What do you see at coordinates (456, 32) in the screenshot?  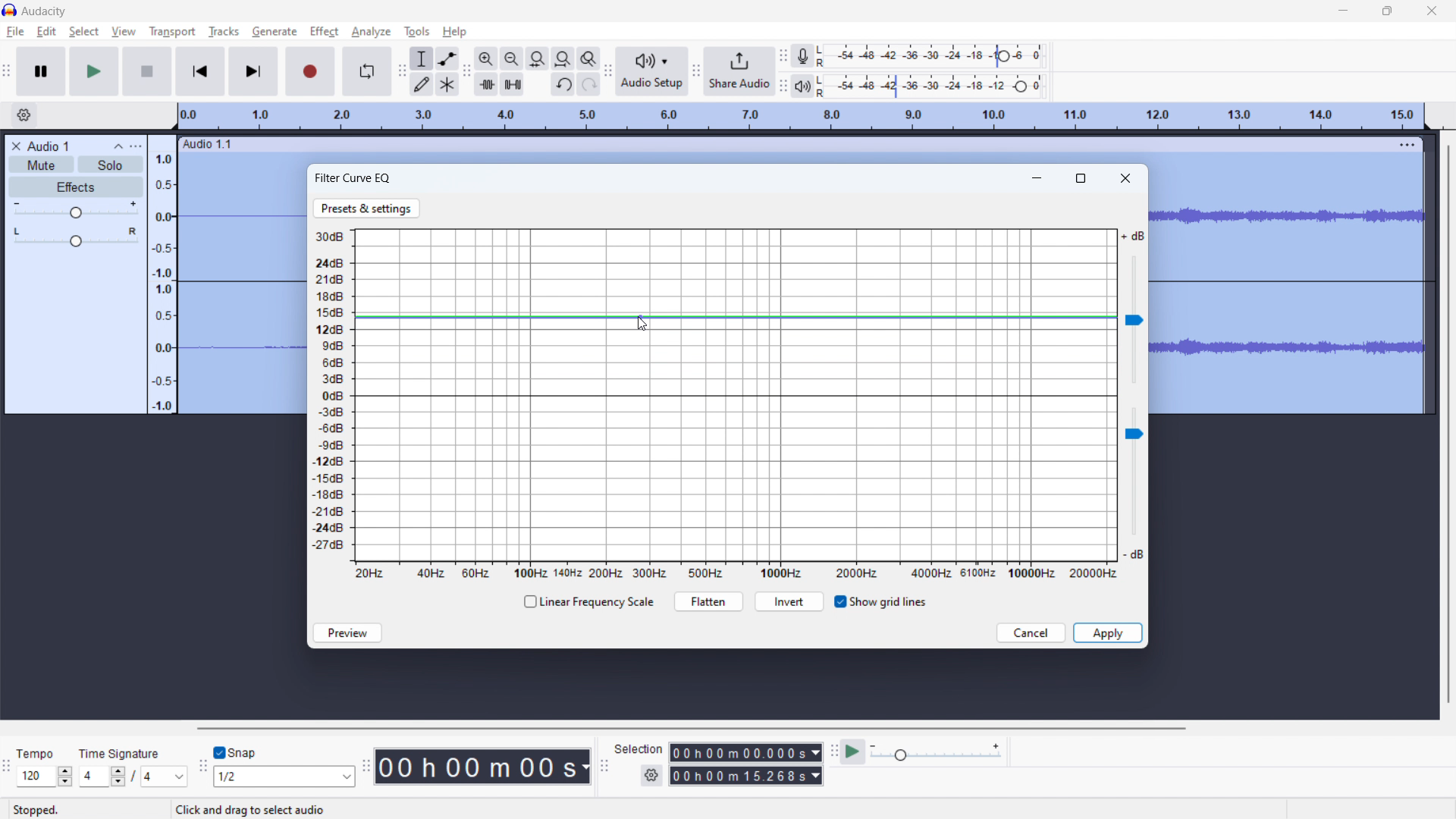 I see `help` at bounding box center [456, 32].